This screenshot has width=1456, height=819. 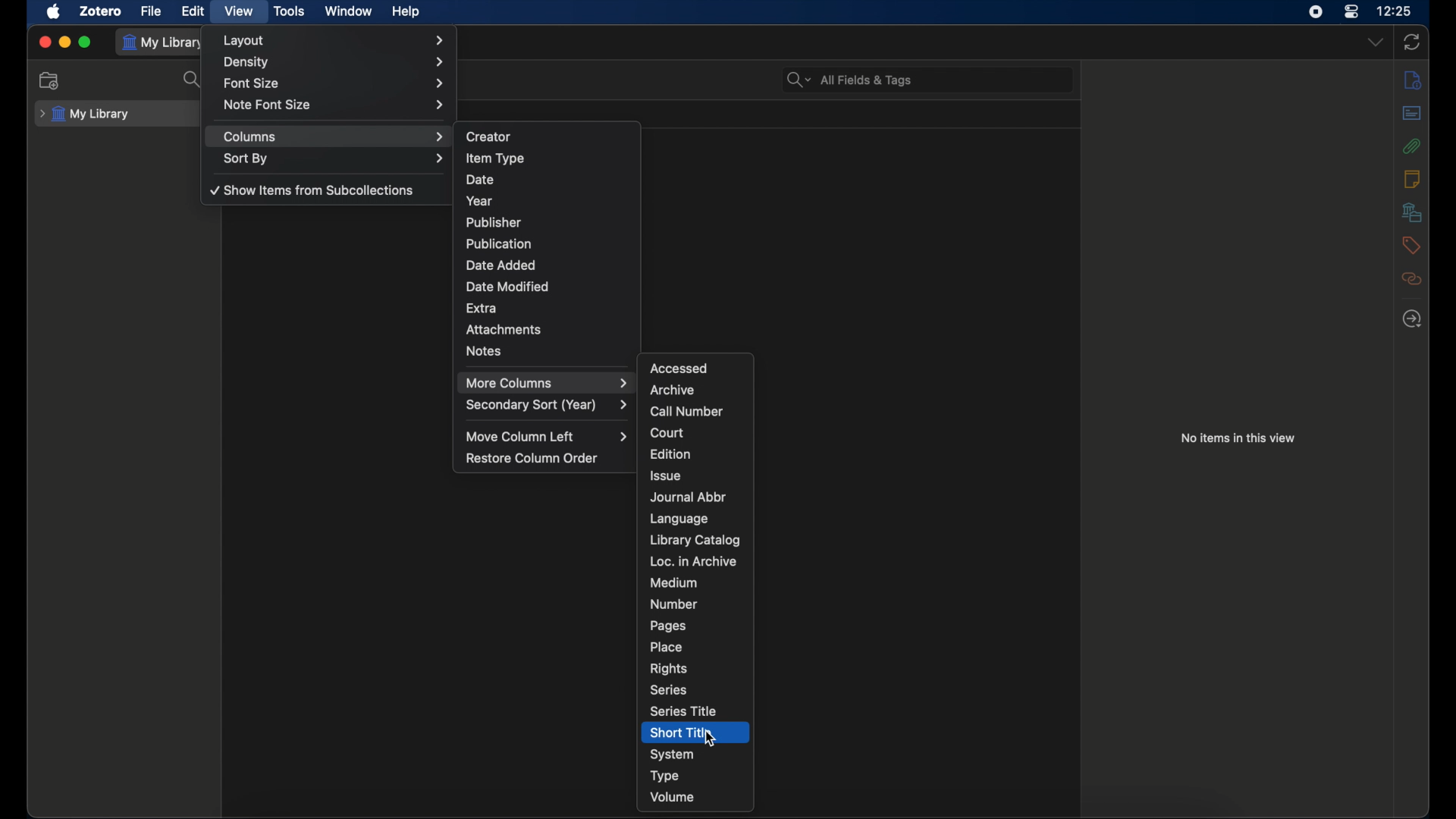 What do you see at coordinates (548, 406) in the screenshot?
I see `secondary sort` at bounding box center [548, 406].